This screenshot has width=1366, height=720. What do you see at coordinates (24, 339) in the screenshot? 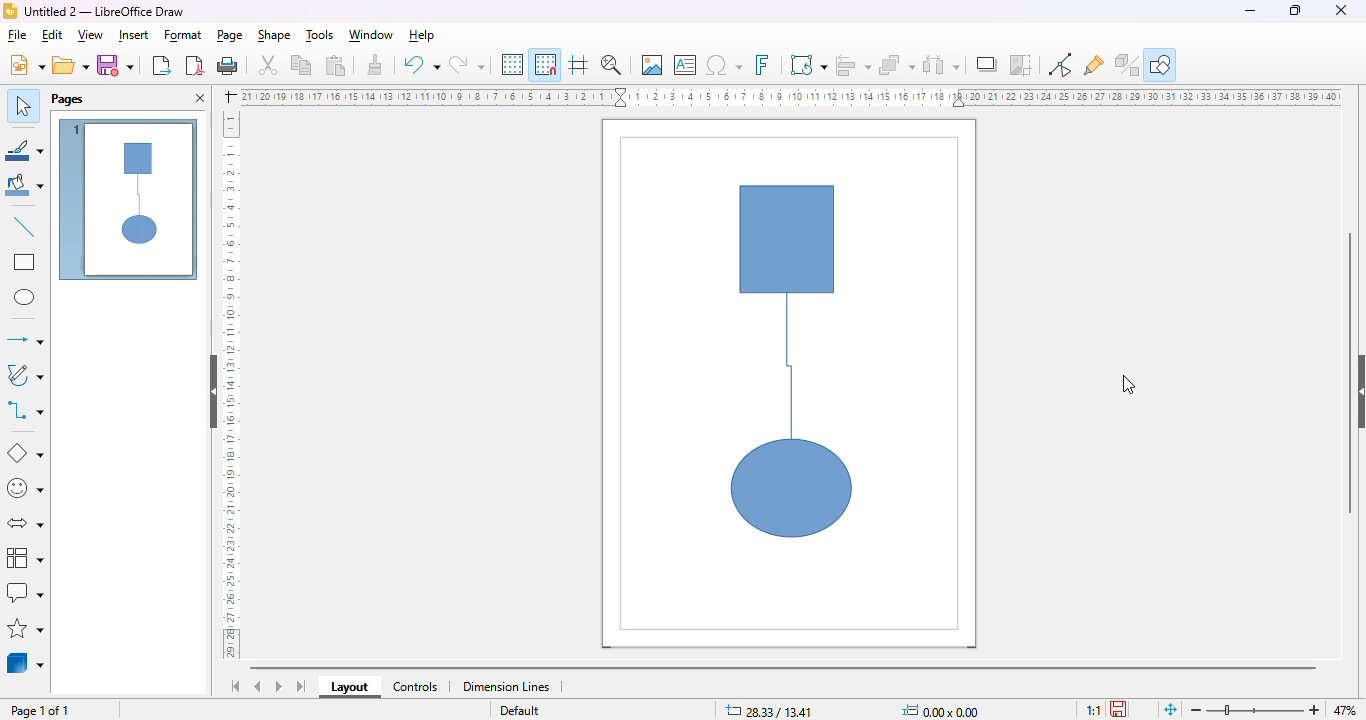
I see `lines and arrows` at bounding box center [24, 339].